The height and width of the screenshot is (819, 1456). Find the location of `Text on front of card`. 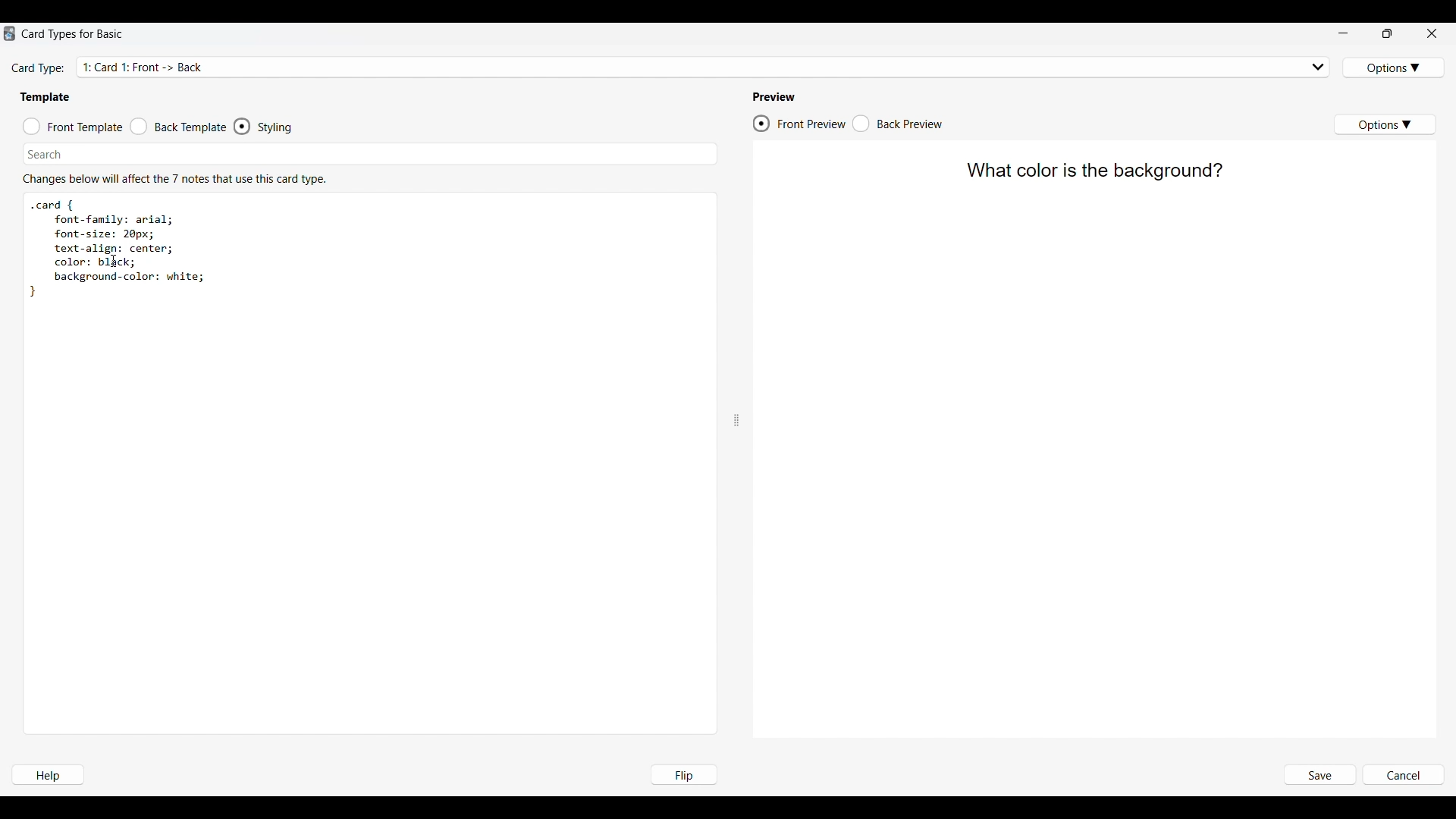

Text on front of card is located at coordinates (1093, 172).